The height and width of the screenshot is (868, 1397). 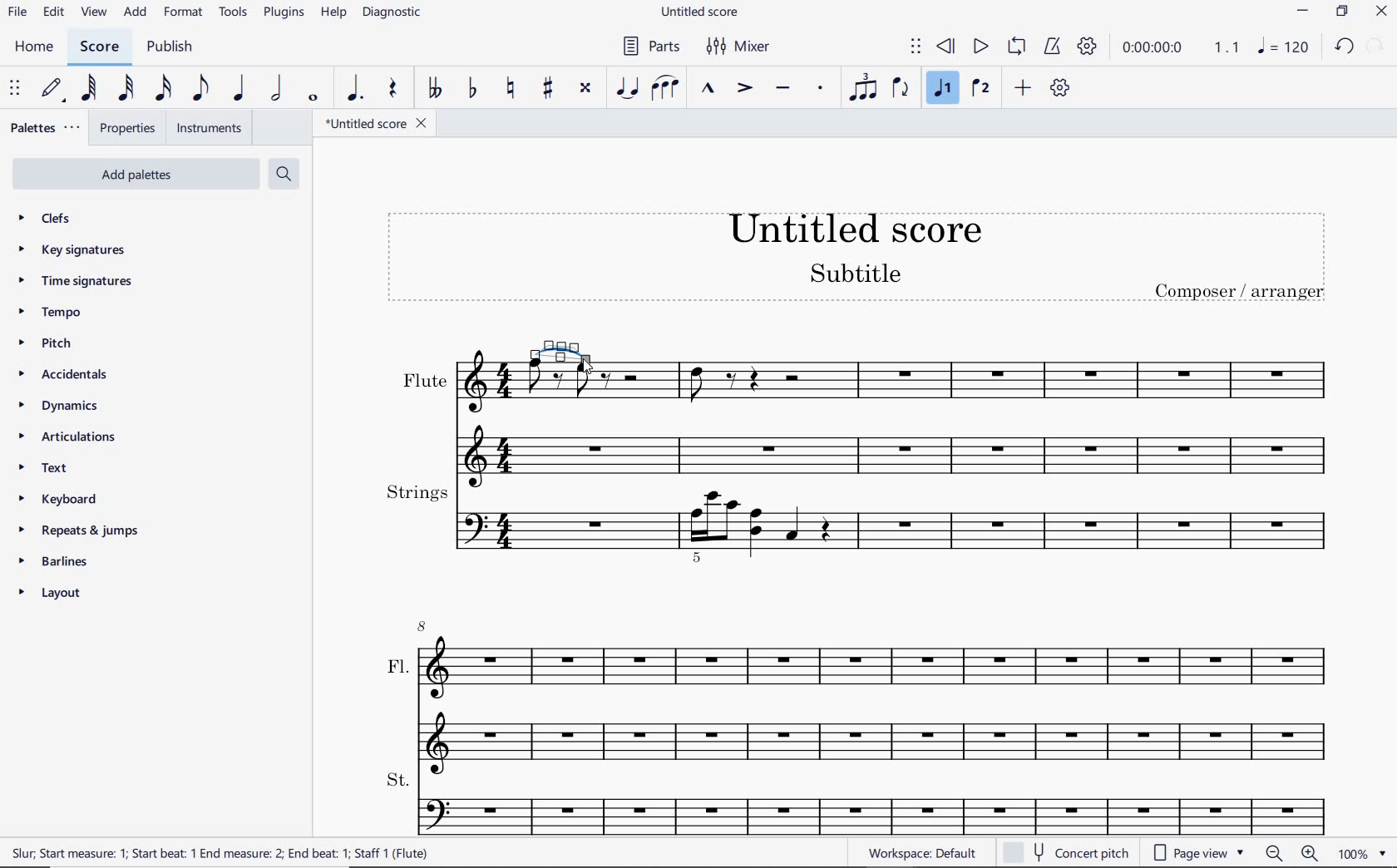 I want to click on TOGGLE DOUBLE-SHARP, so click(x=586, y=89).